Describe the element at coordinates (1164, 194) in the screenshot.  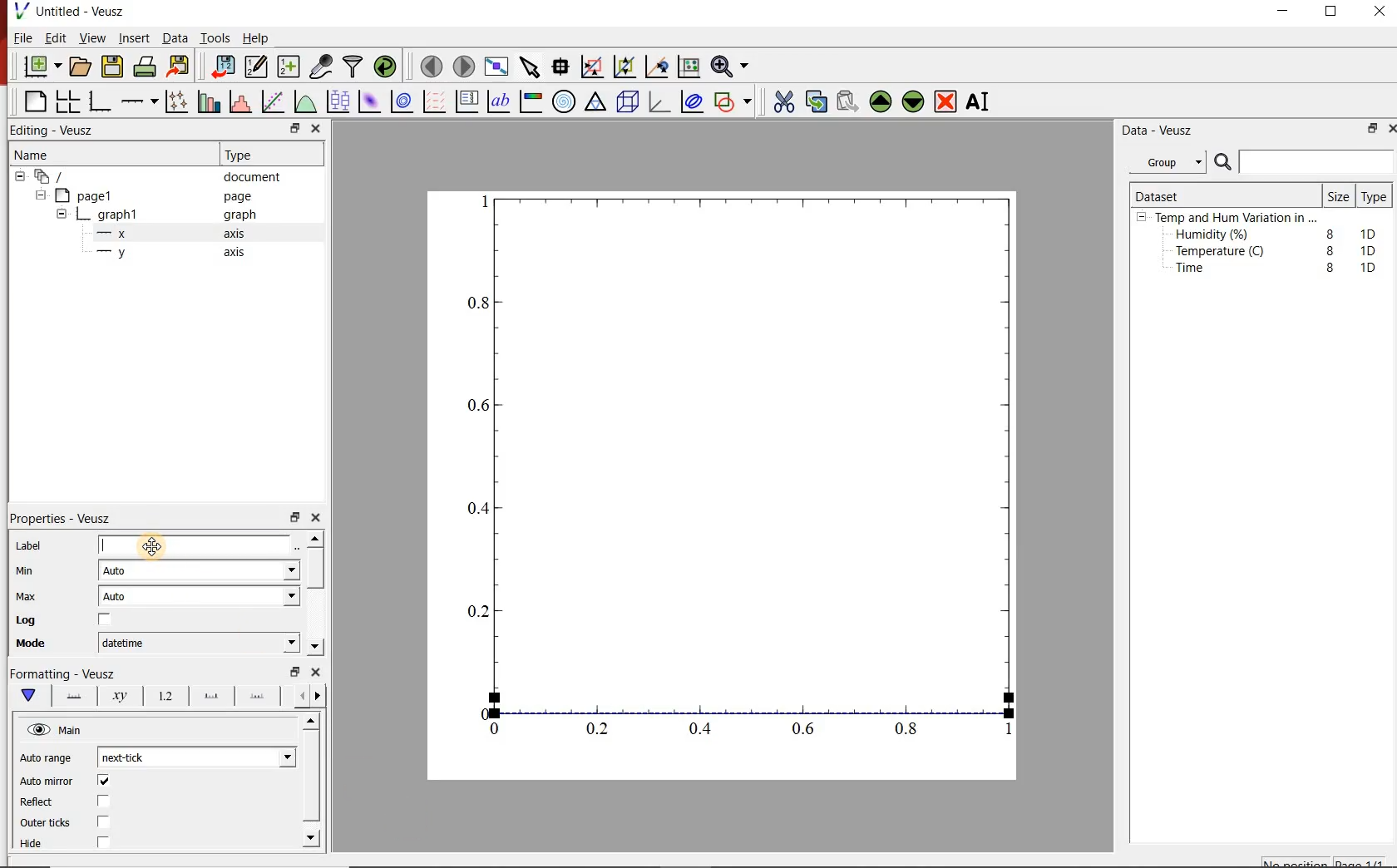
I see `Dataset` at that location.